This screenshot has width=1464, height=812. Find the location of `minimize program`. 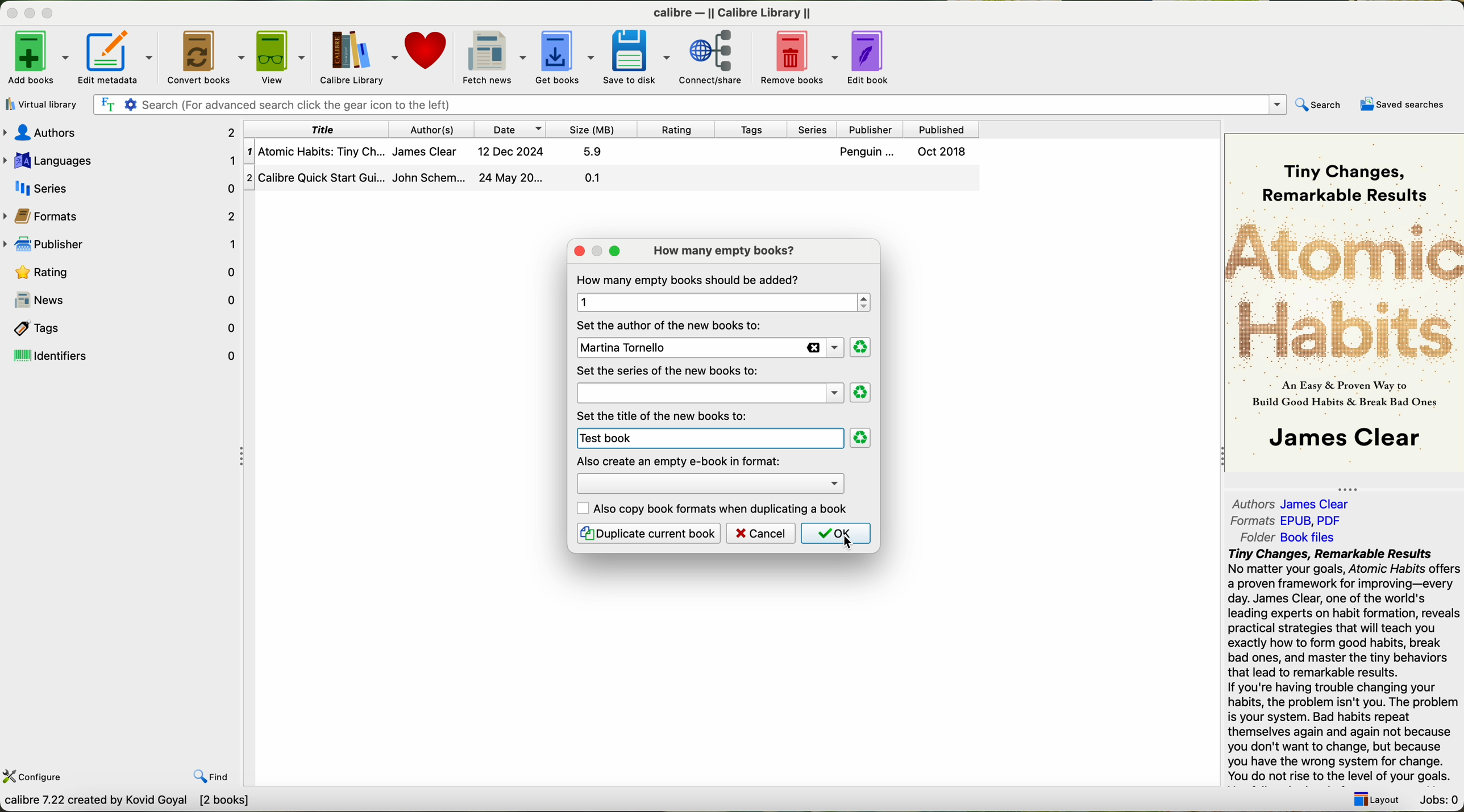

minimize program is located at coordinates (28, 11).